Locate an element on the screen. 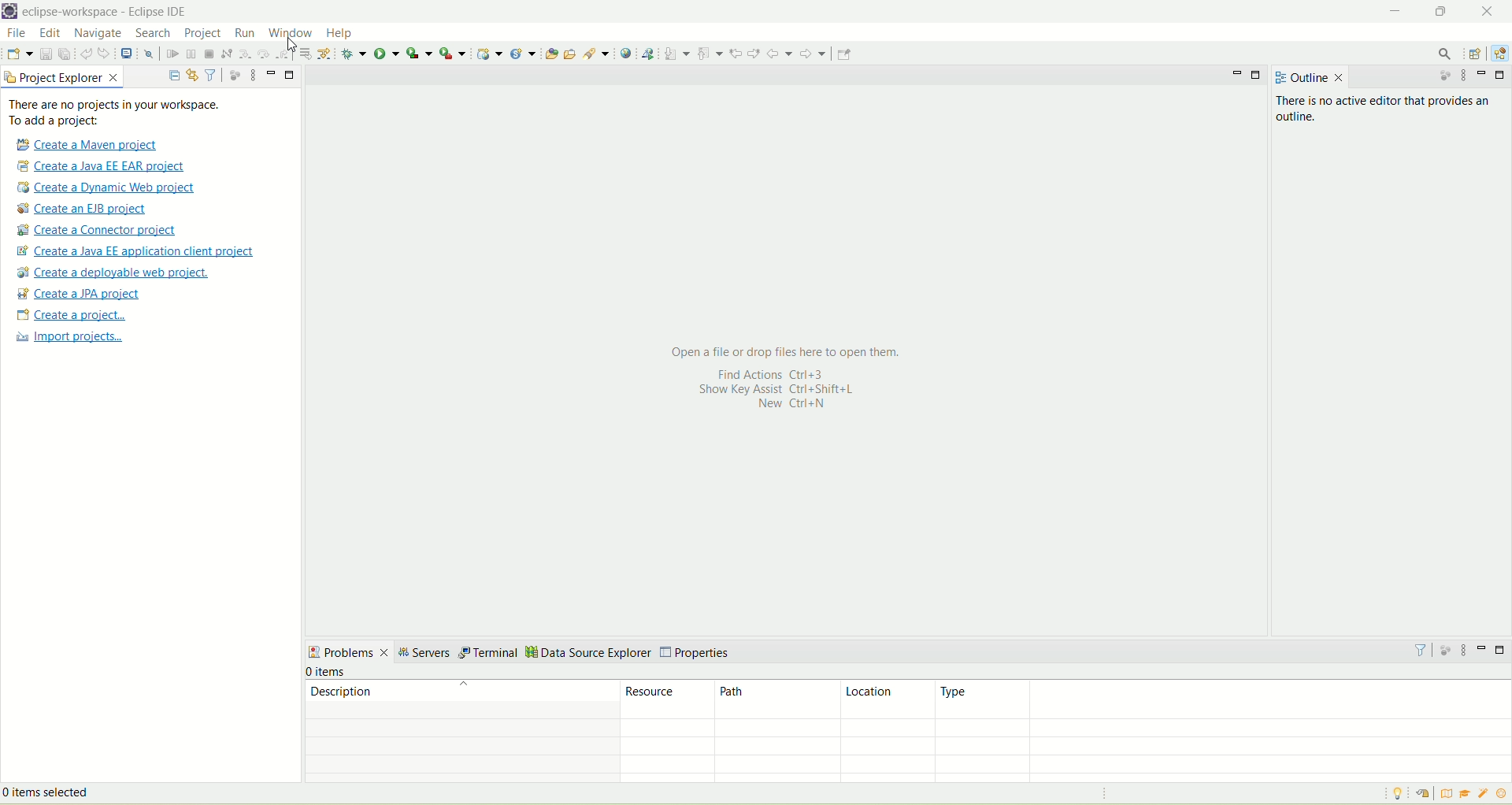 Image resolution: width=1512 pixels, height=805 pixels. Java EE is located at coordinates (1499, 54).